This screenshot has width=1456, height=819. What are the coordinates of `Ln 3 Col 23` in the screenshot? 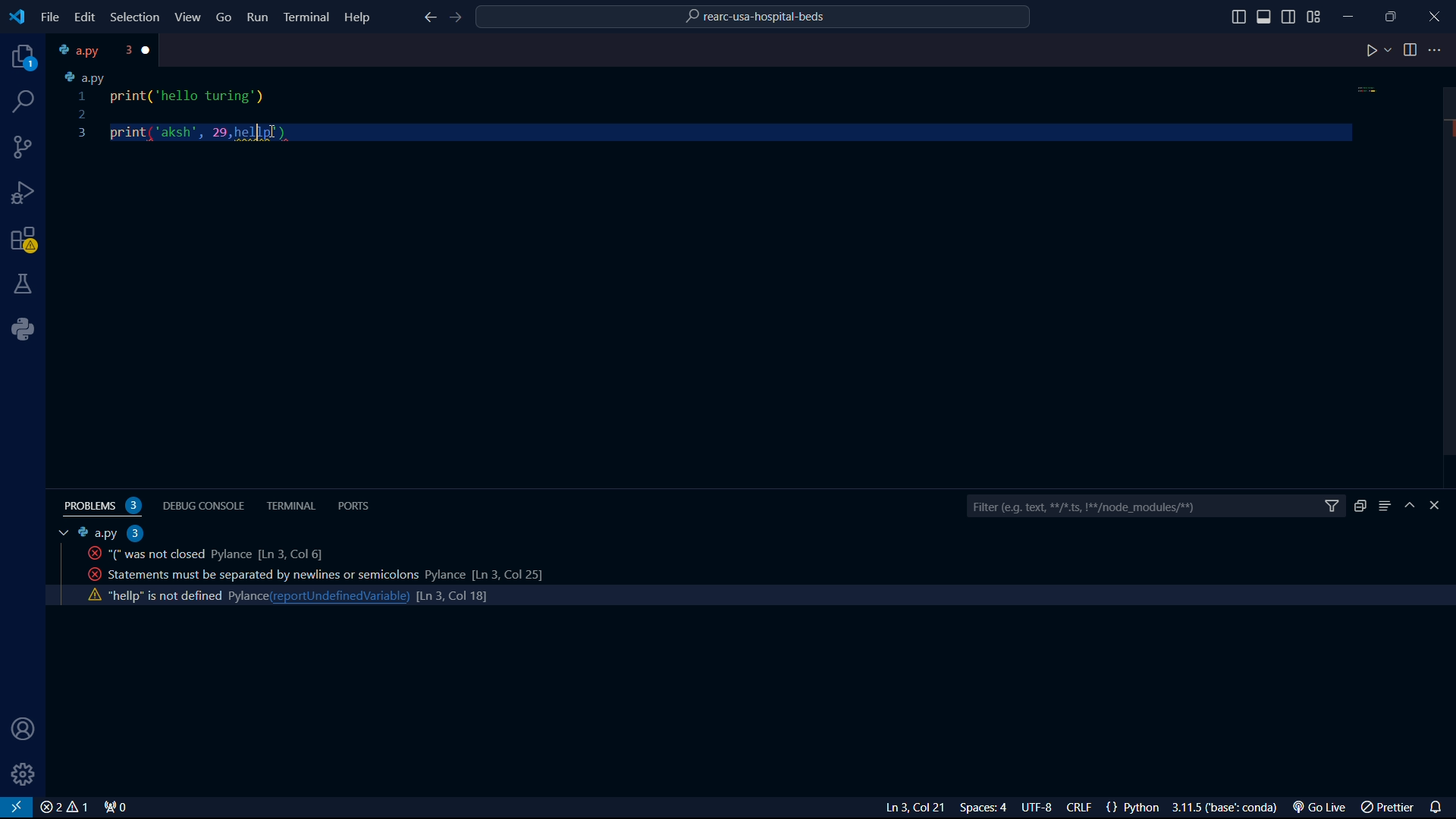 It's located at (897, 808).